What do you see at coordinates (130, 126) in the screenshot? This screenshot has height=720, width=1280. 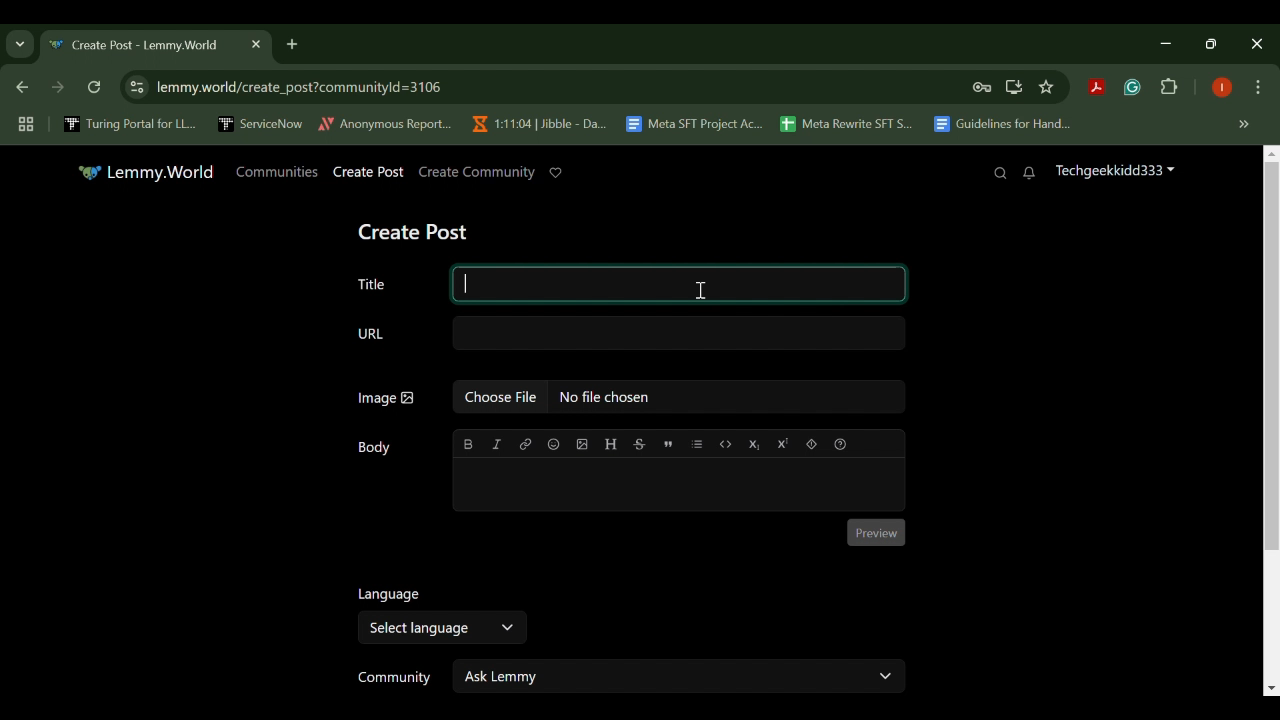 I see `Turing Portal for LL...` at bounding box center [130, 126].